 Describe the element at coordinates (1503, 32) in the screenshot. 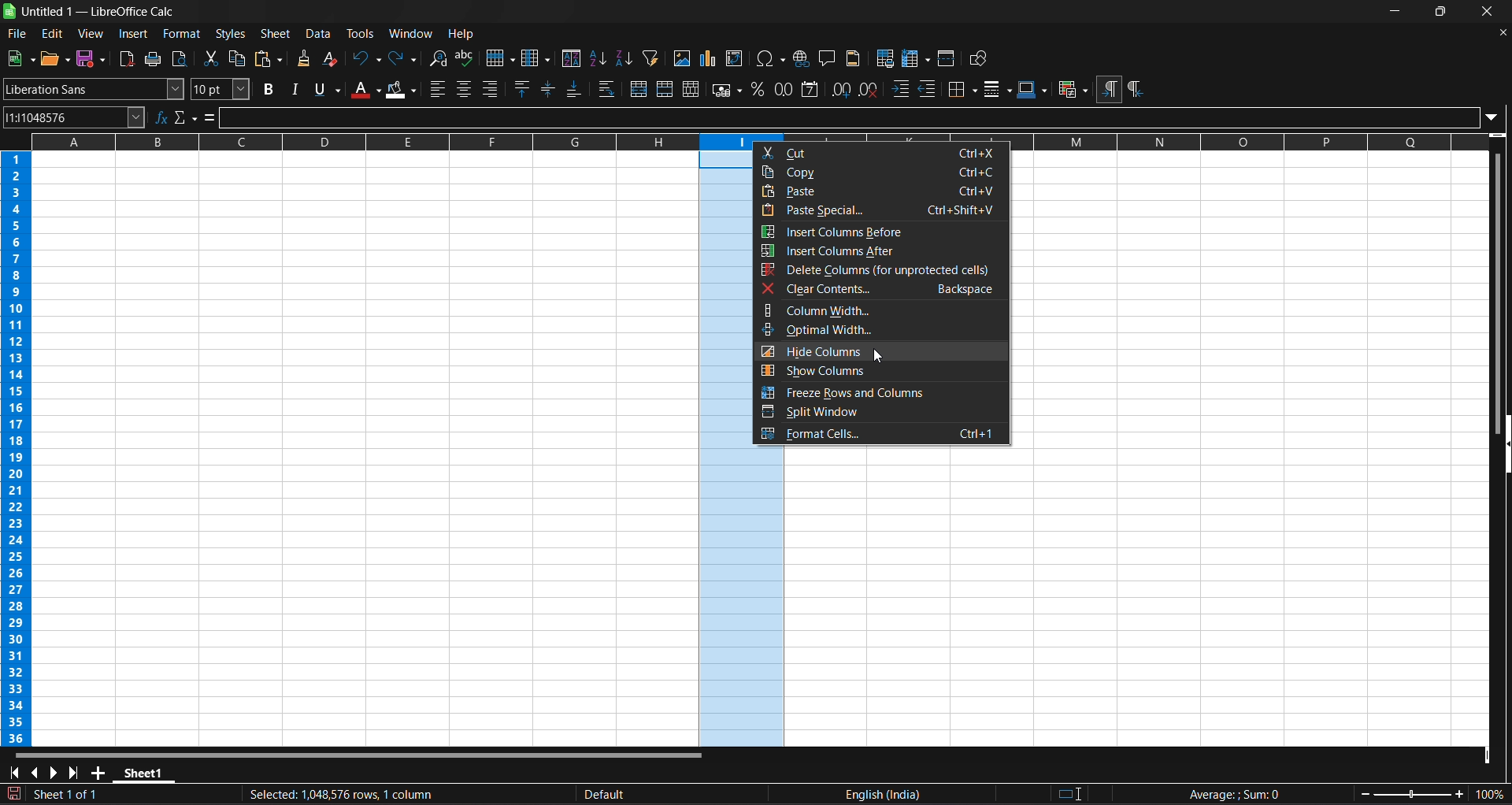

I see `close document` at that location.